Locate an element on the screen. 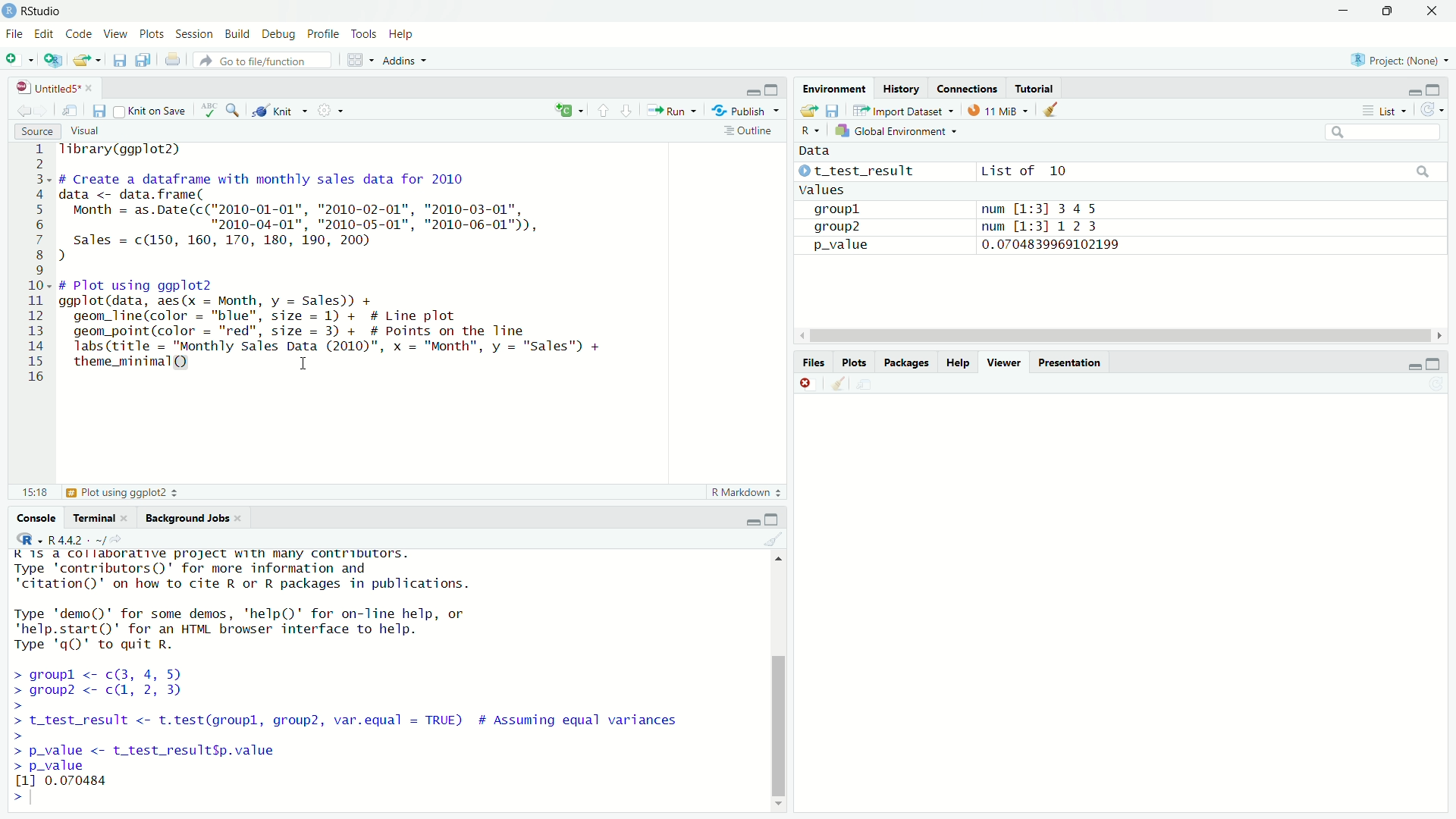  clear workspace is located at coordinates (836, 385).